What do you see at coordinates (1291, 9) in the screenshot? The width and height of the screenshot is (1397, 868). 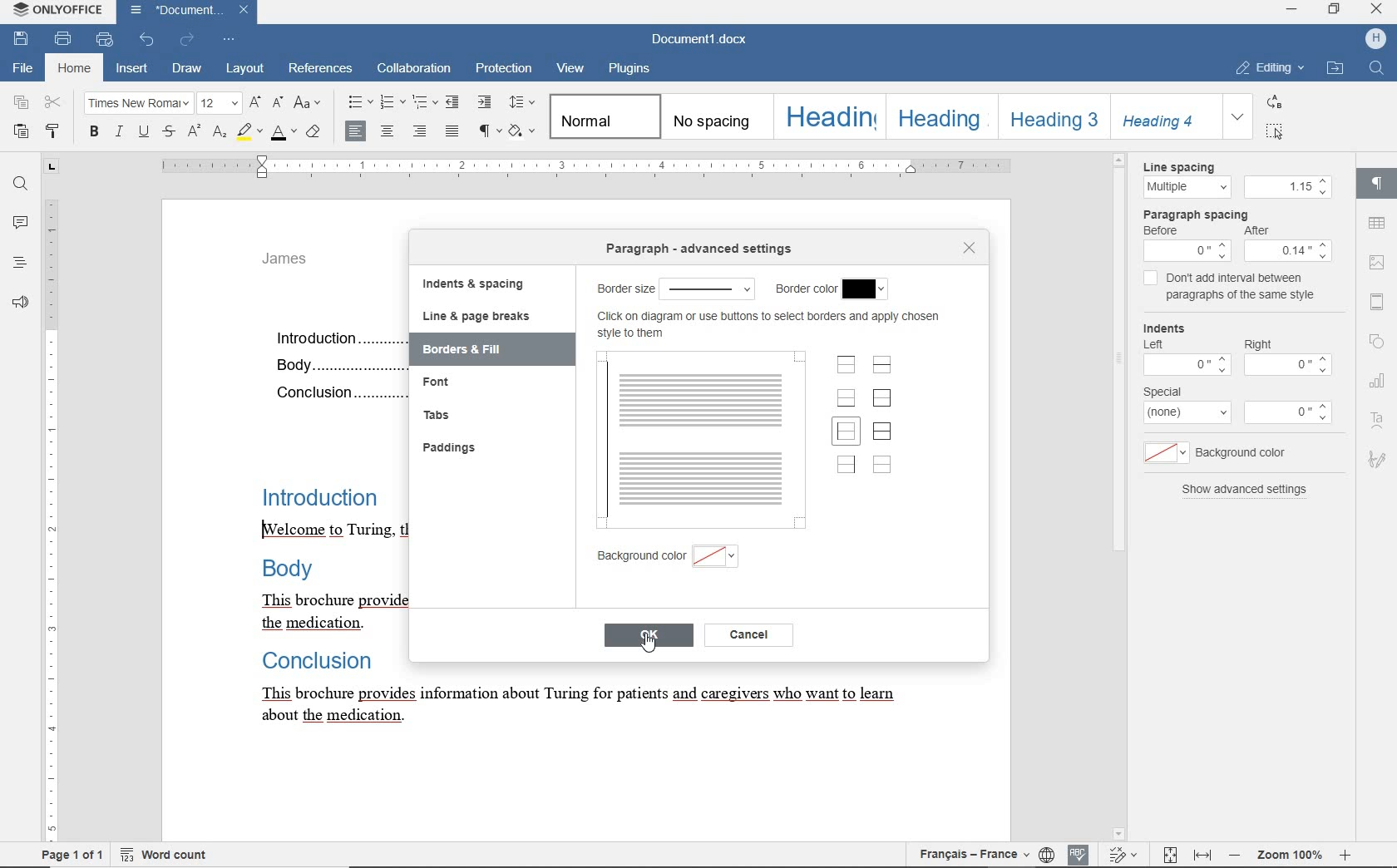 I see `minimize` at bounding box center [1291, 9].